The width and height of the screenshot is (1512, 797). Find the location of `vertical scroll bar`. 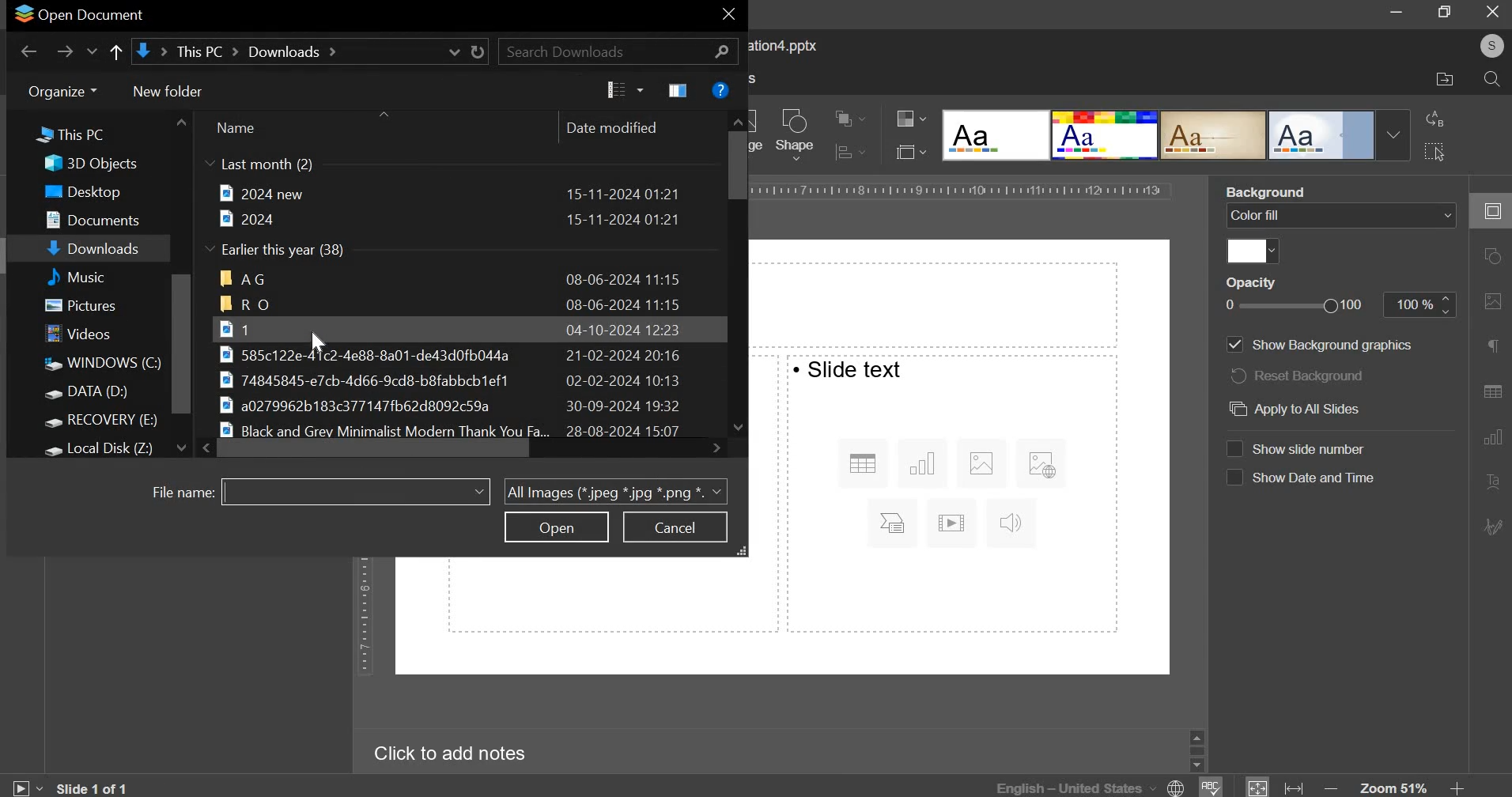

vertical scroll bar is located at coordinates (182, 344).